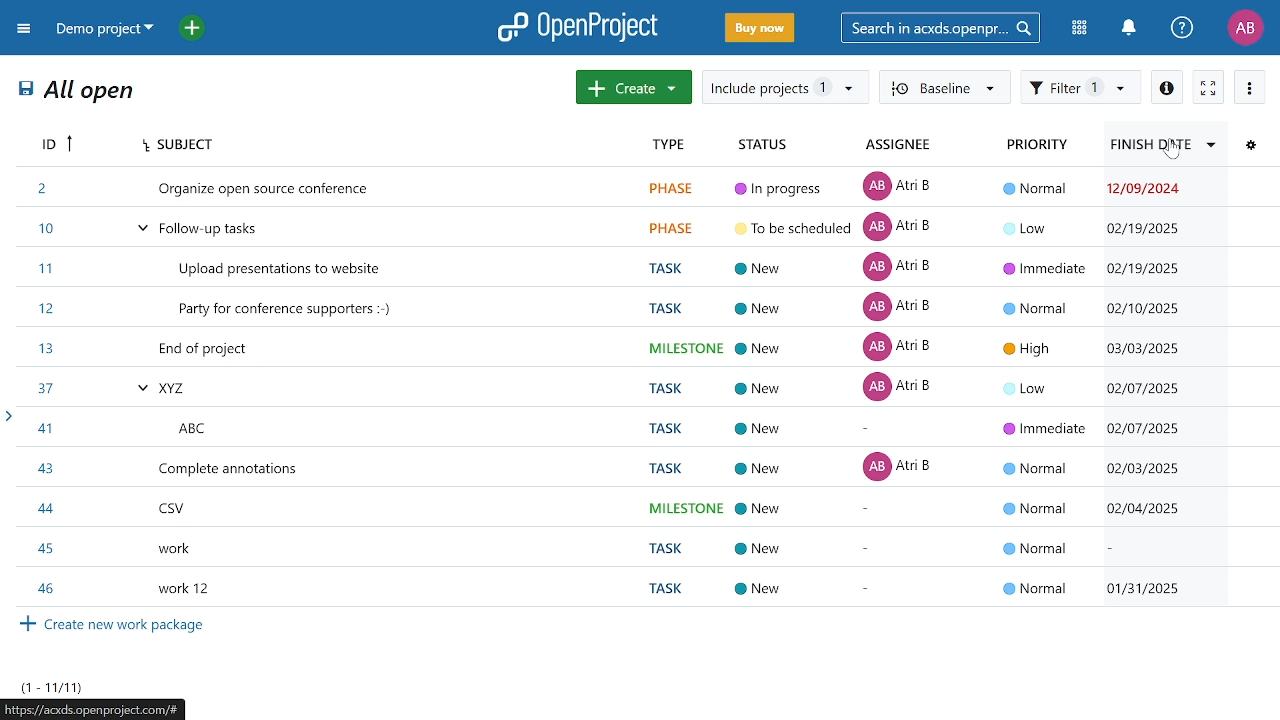 Image resolution: width=1280 pixels, height=720 pixels. I want to click on All open, so click(96, 92).